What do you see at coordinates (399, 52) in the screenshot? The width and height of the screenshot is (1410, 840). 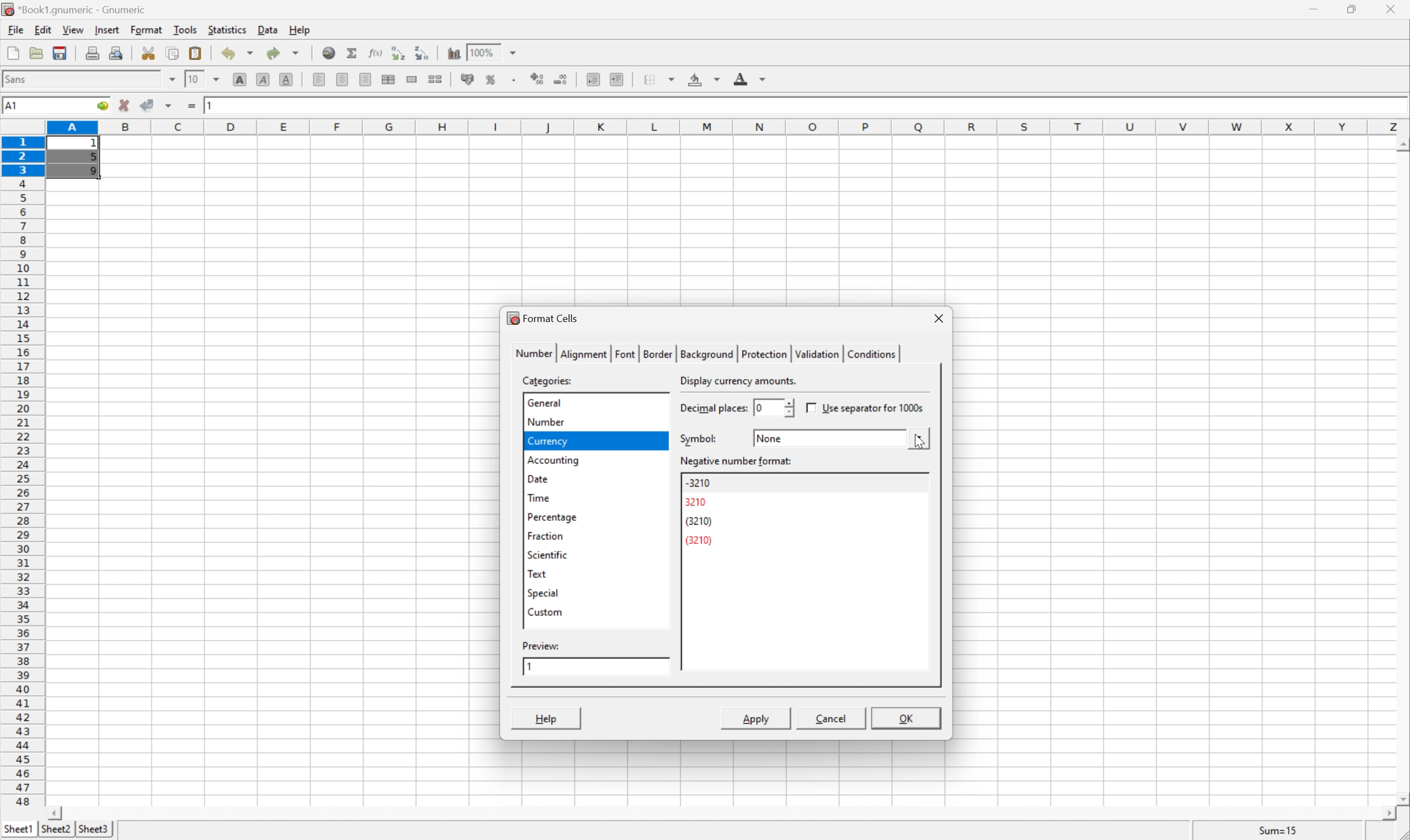 I see `Sort the selected region in ascending order based on the first column selected` at bounding box center [399, 52].